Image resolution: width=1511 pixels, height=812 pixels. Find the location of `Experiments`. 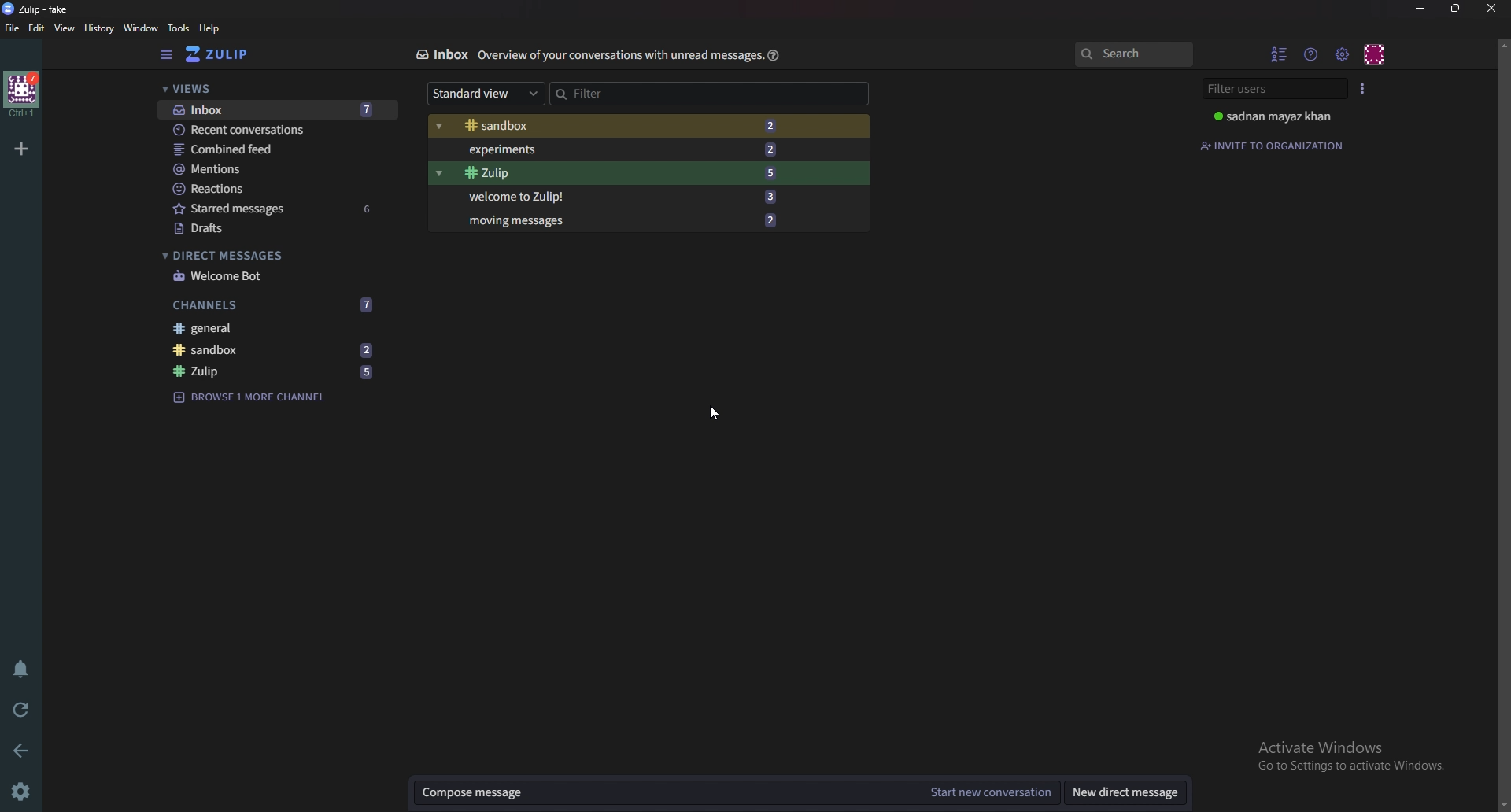

Experiments is located at coordinates (622, 149).